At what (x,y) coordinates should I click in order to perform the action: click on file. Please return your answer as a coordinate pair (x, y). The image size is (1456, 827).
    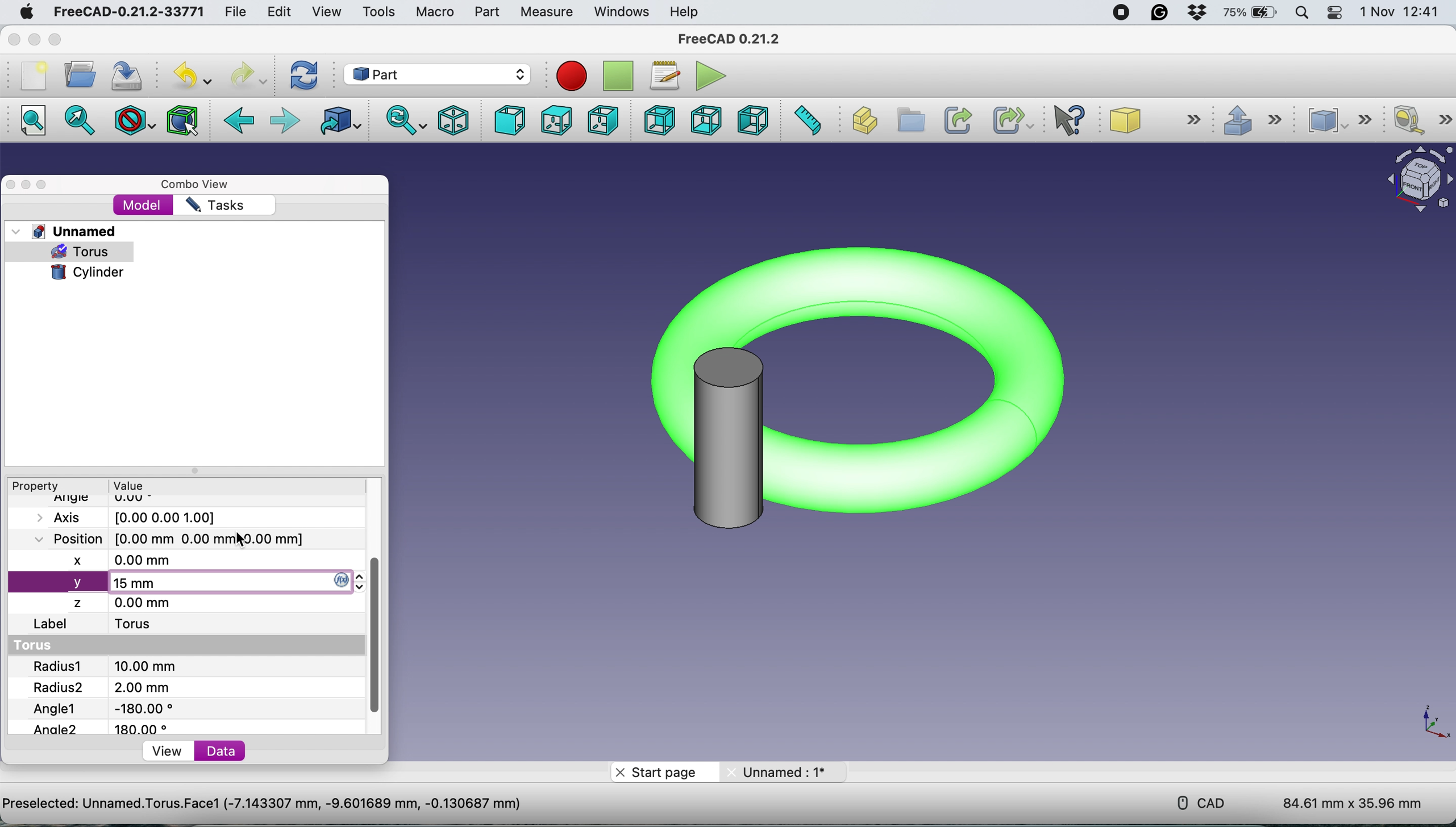
    Looking at the image, I should click on (236, 12).